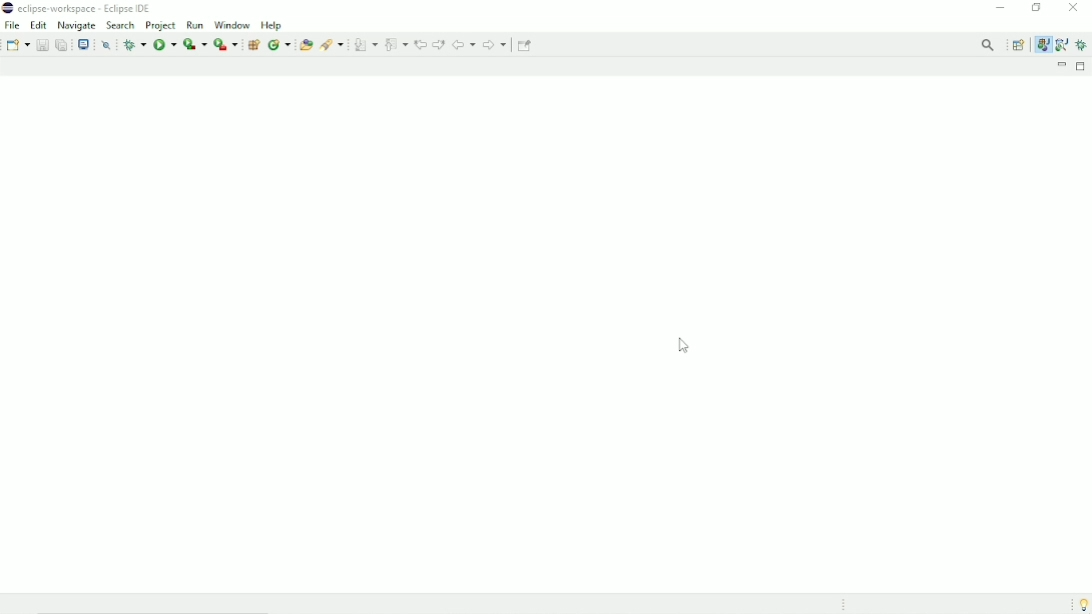  What do you see at coordinates (1020, 44) in the screenshot?
I see `Open perspective` at bounding box center [1020, 44].